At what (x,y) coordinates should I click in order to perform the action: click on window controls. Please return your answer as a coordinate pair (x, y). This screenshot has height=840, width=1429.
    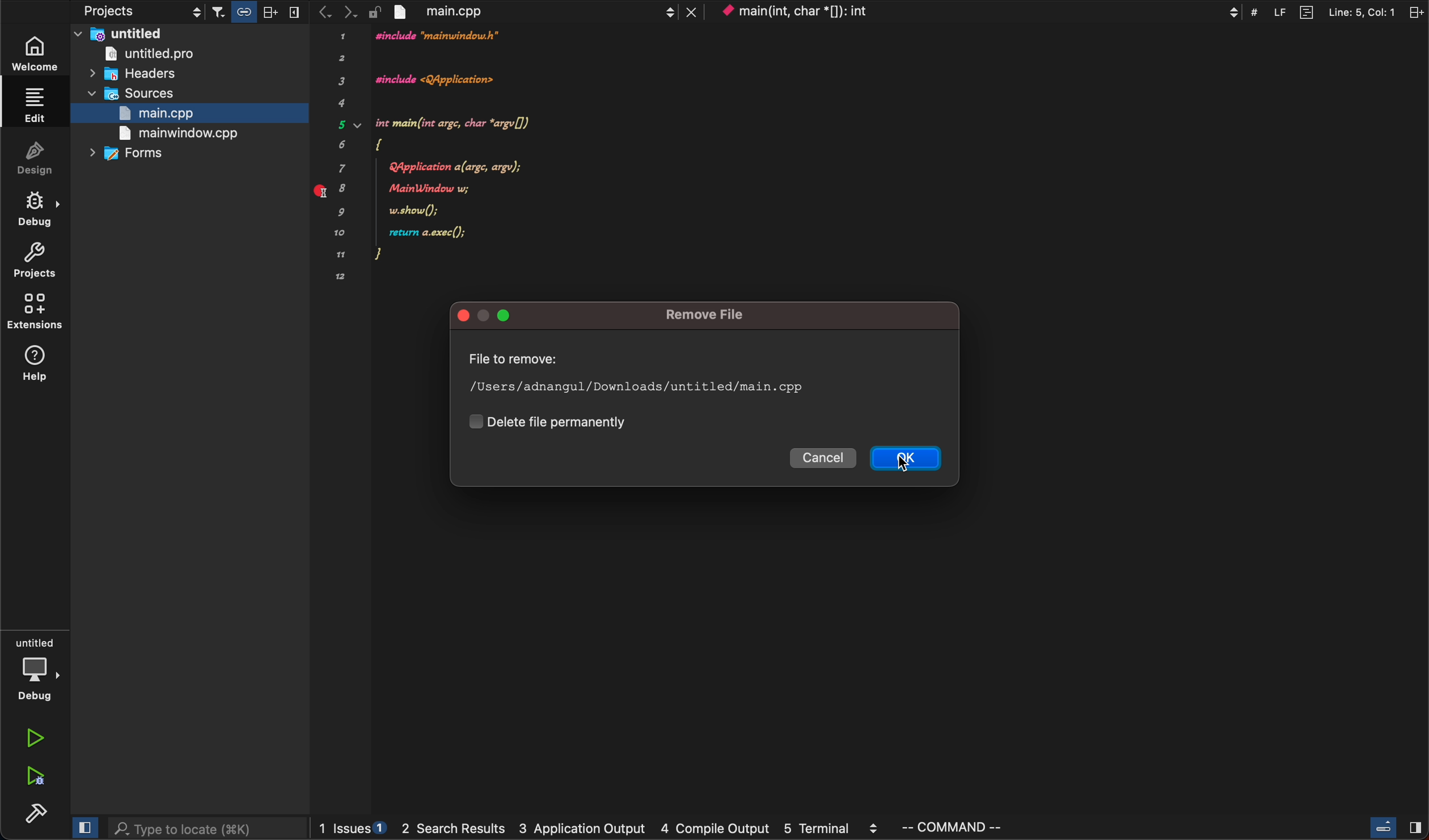
    Looking at the image, I should click on (493, 316).